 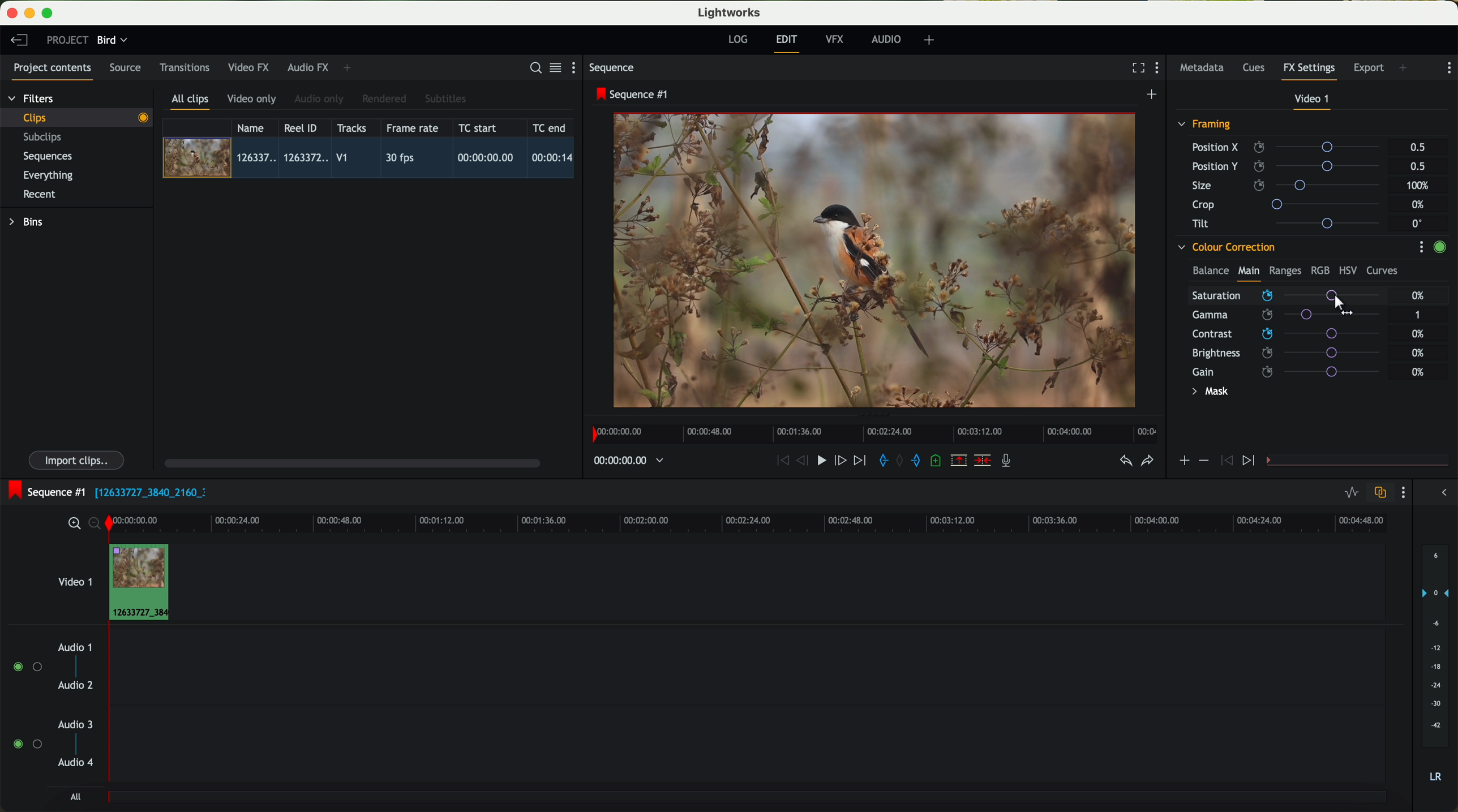 I want to click on position Y, so click(x=1290, y=166).